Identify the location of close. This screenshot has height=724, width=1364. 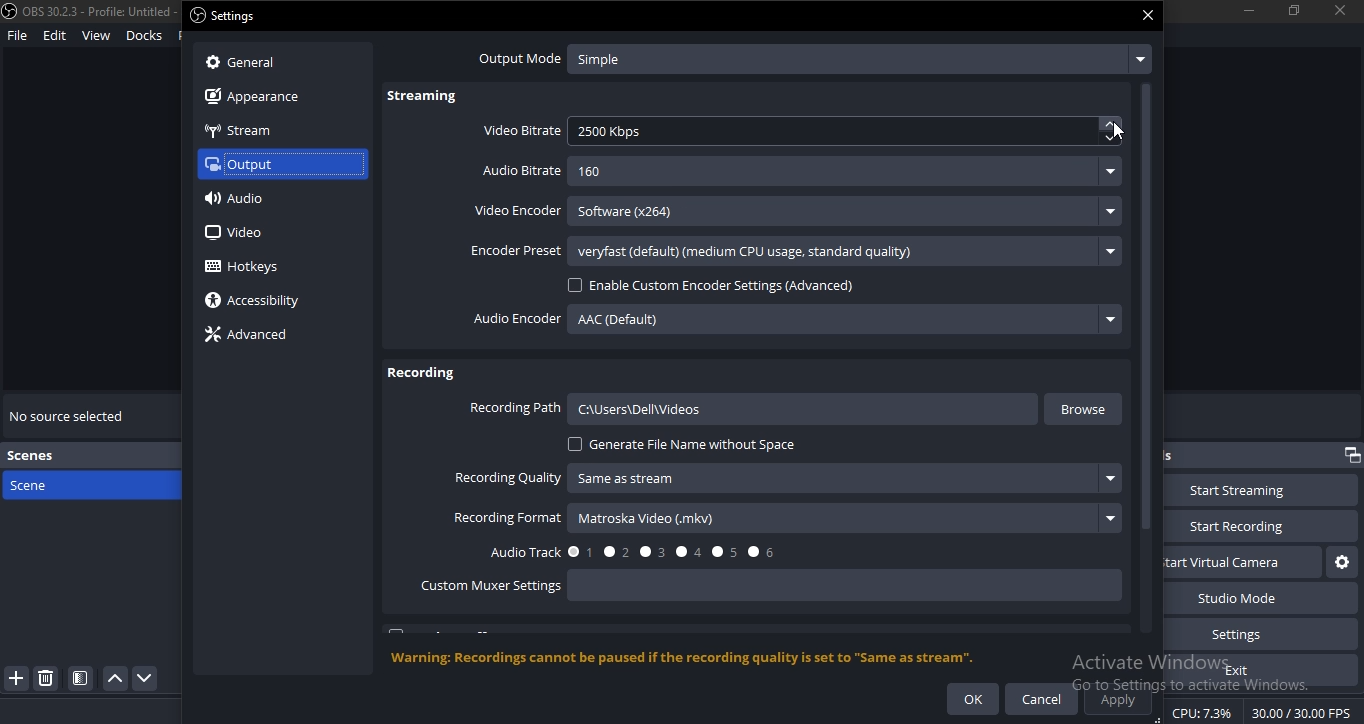
(1341, 11).